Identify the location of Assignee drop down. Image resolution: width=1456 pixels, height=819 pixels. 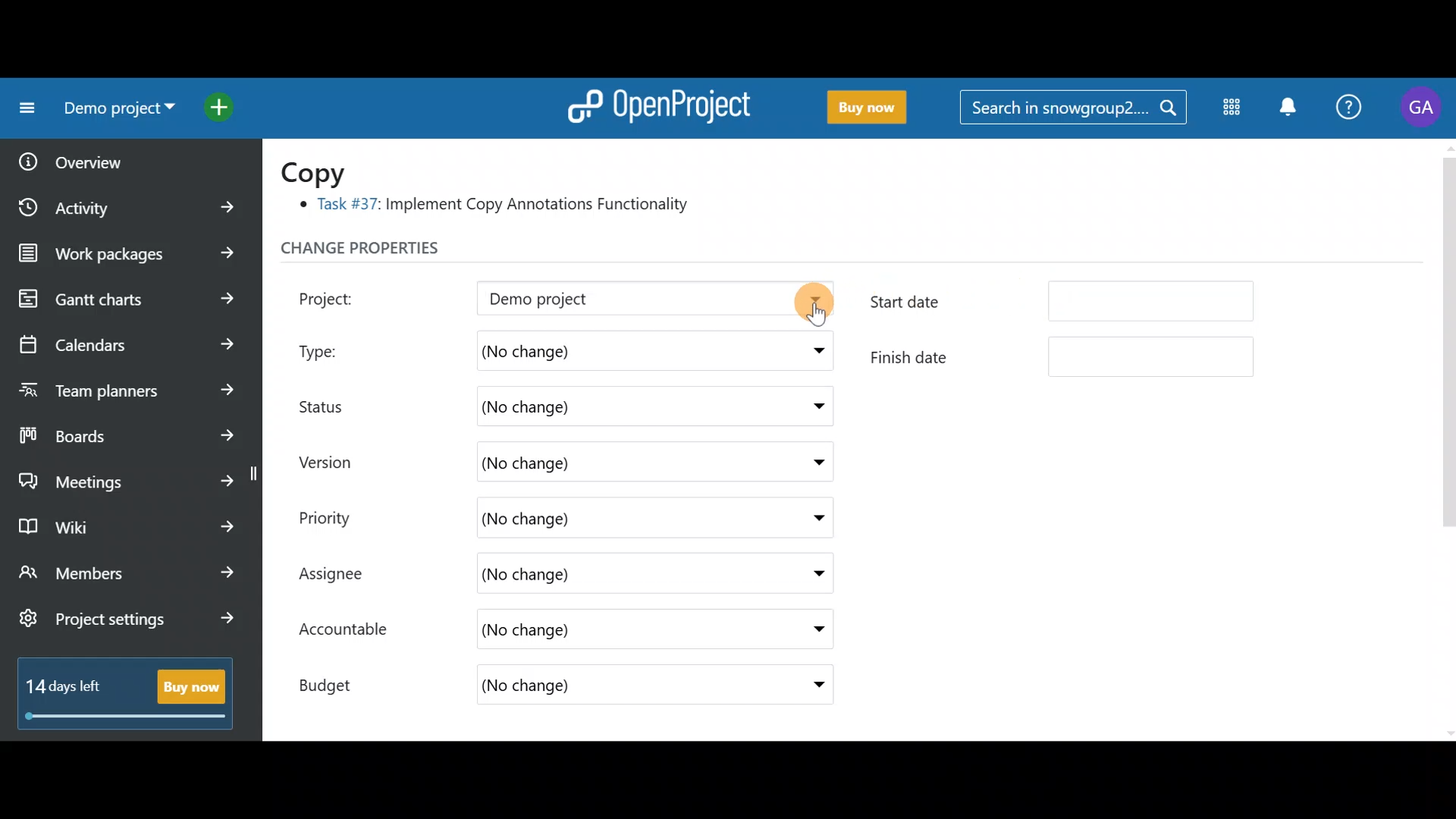
(806, 574).